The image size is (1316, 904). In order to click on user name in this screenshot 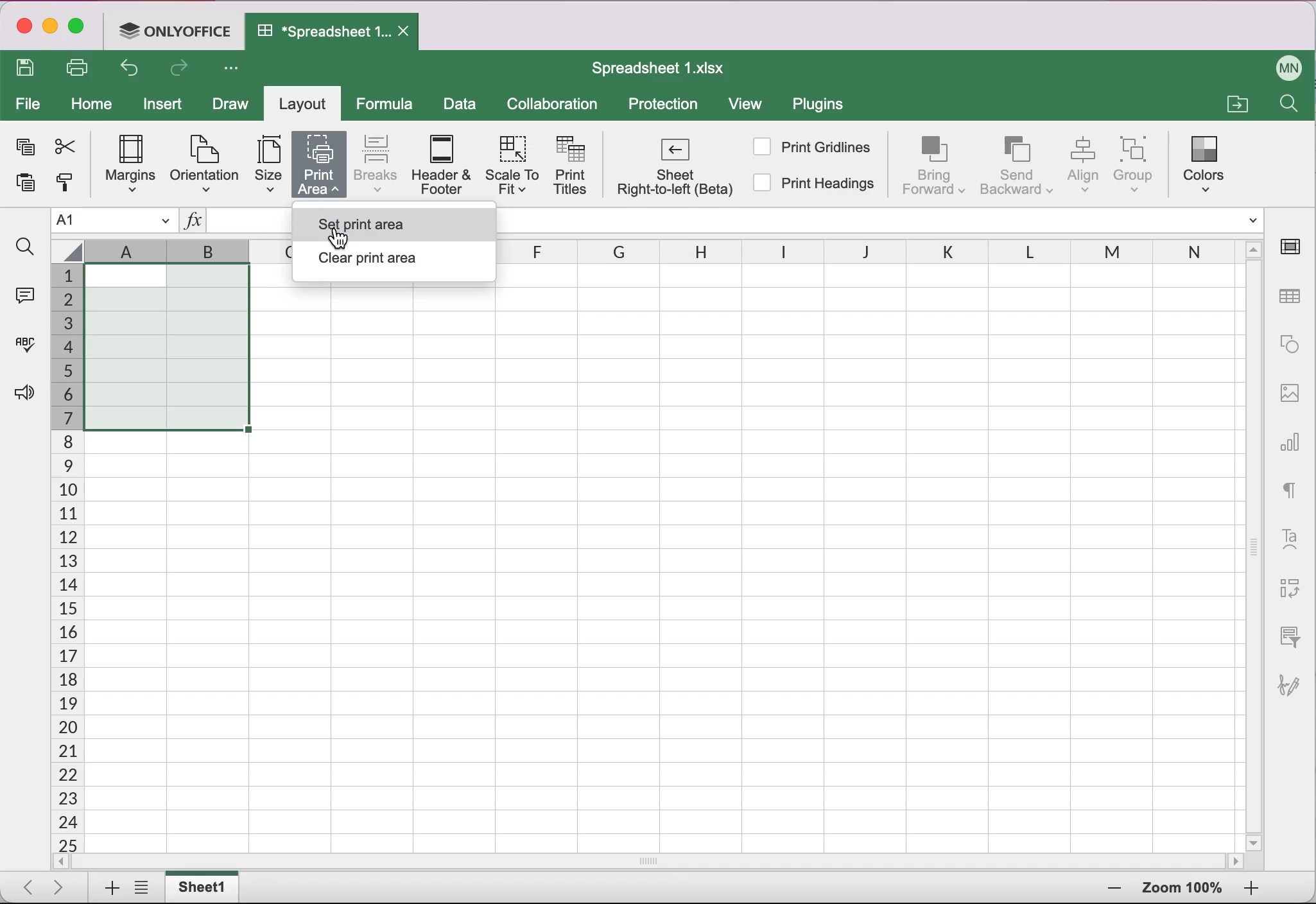, I will do `click(1290, 65)`.